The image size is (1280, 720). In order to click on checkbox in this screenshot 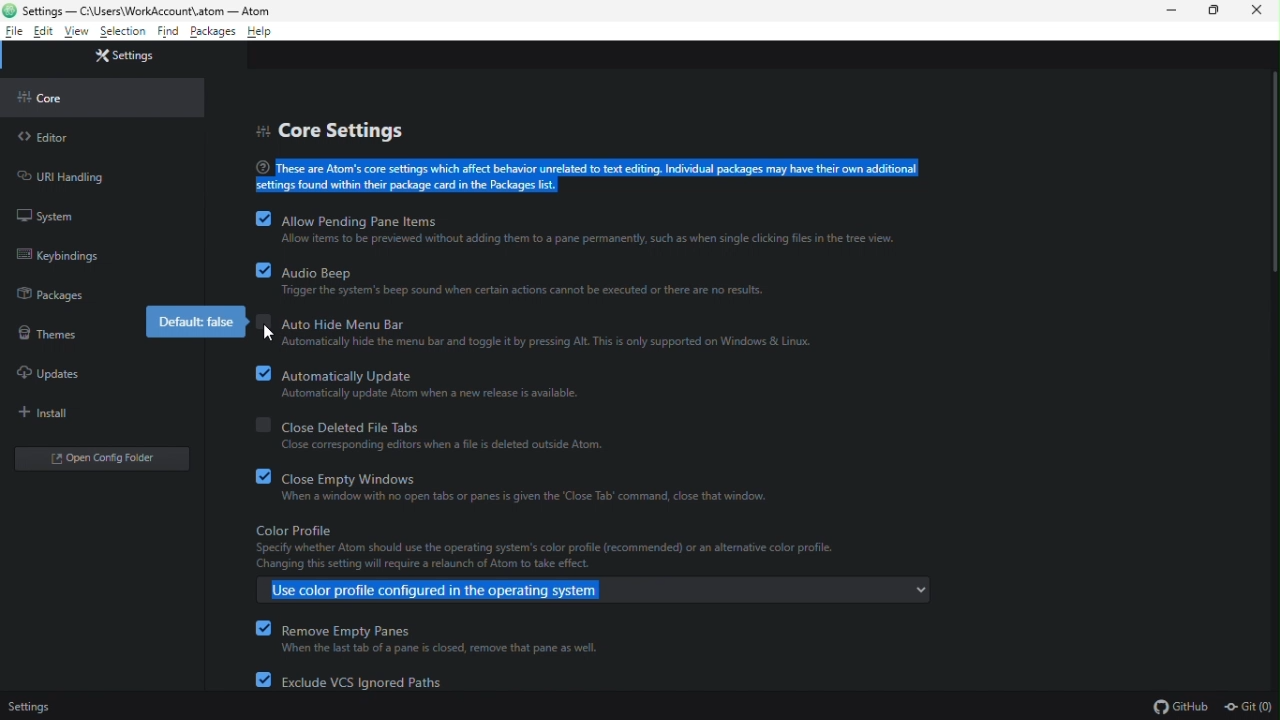, I will do `click(252, 220)`.